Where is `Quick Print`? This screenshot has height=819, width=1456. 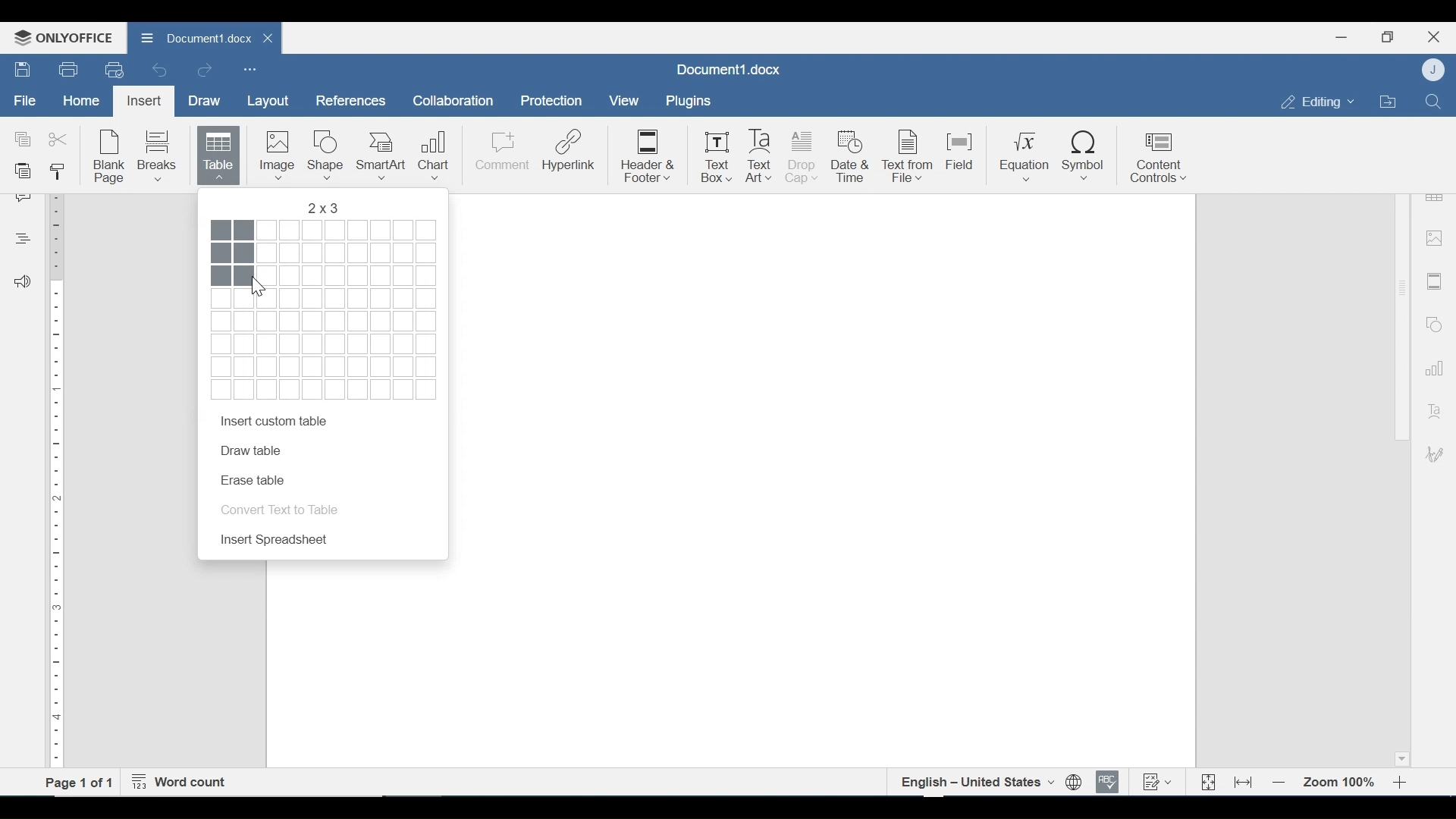
Quick Print is located at coordinates (113, 69).